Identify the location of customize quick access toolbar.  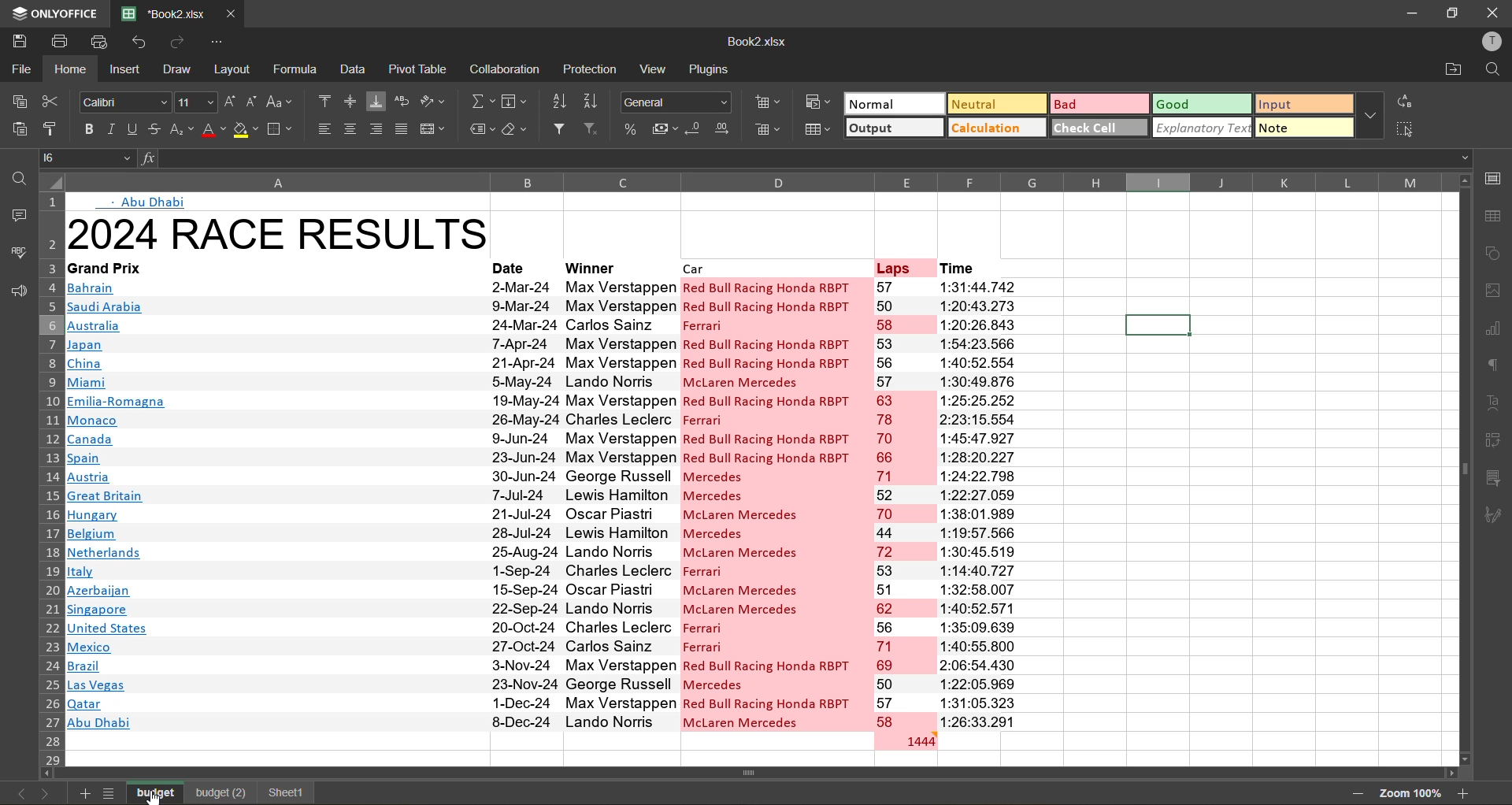
(217, 42).